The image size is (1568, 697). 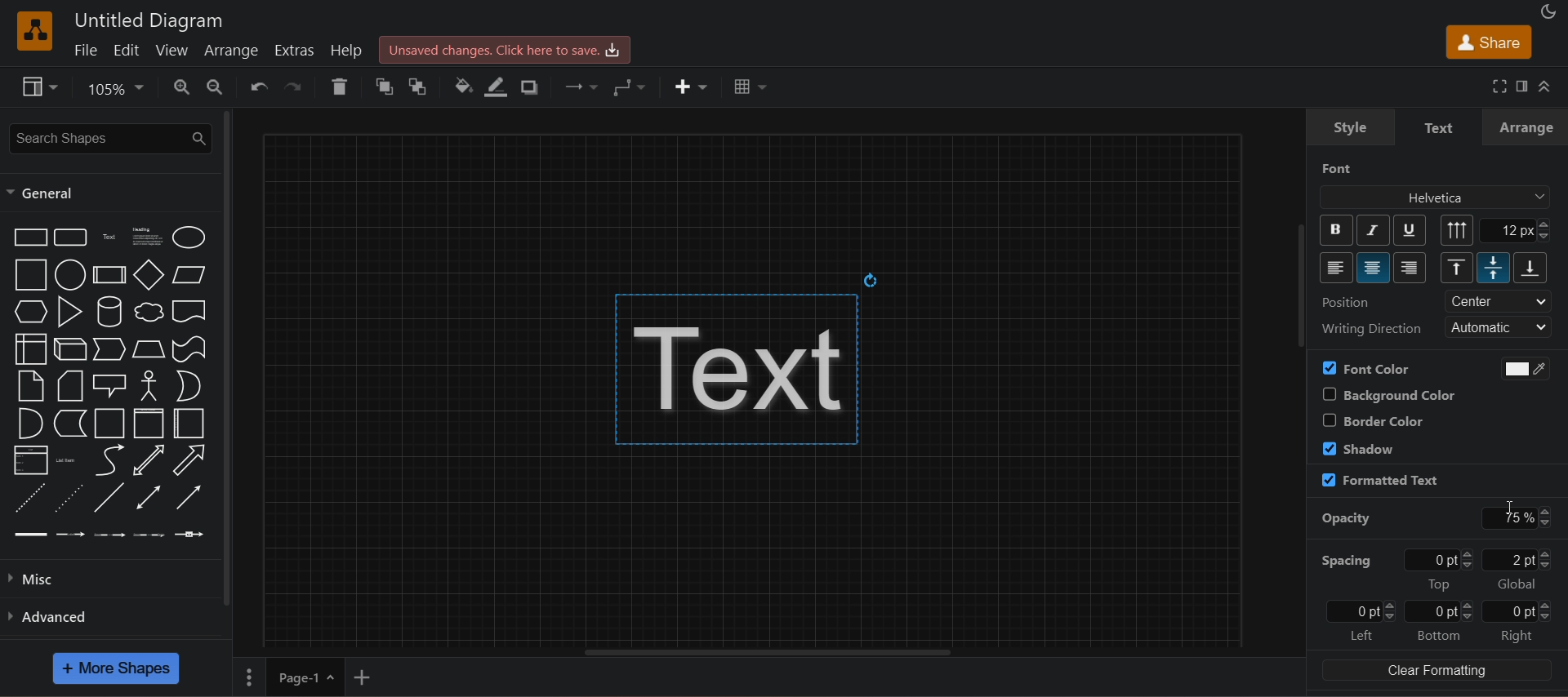 I want to click on line, so click(x=109, y=497).